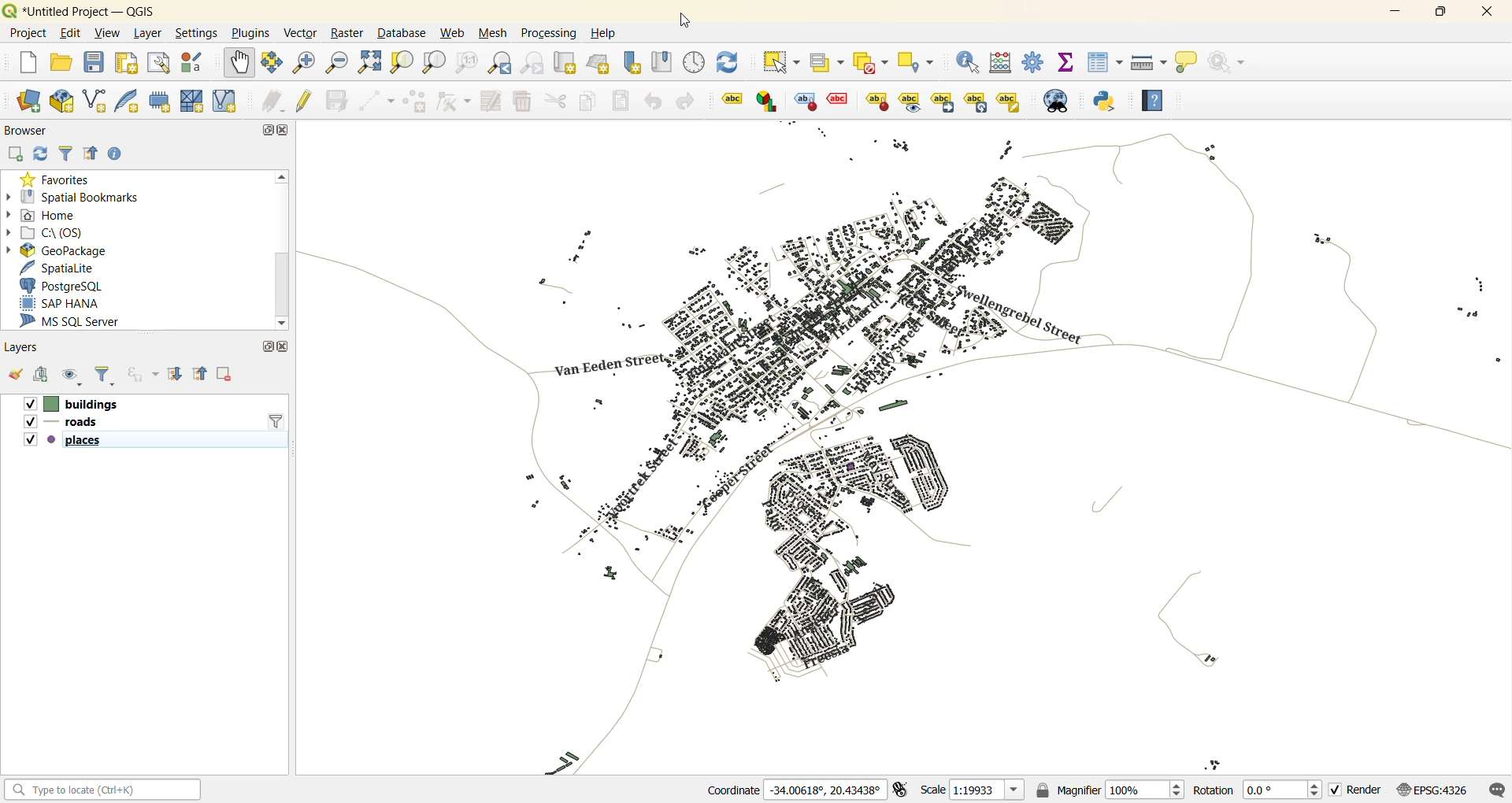 This screenshot has width=1512, height=803. I want to click on new data source manager, so click(33, 102).